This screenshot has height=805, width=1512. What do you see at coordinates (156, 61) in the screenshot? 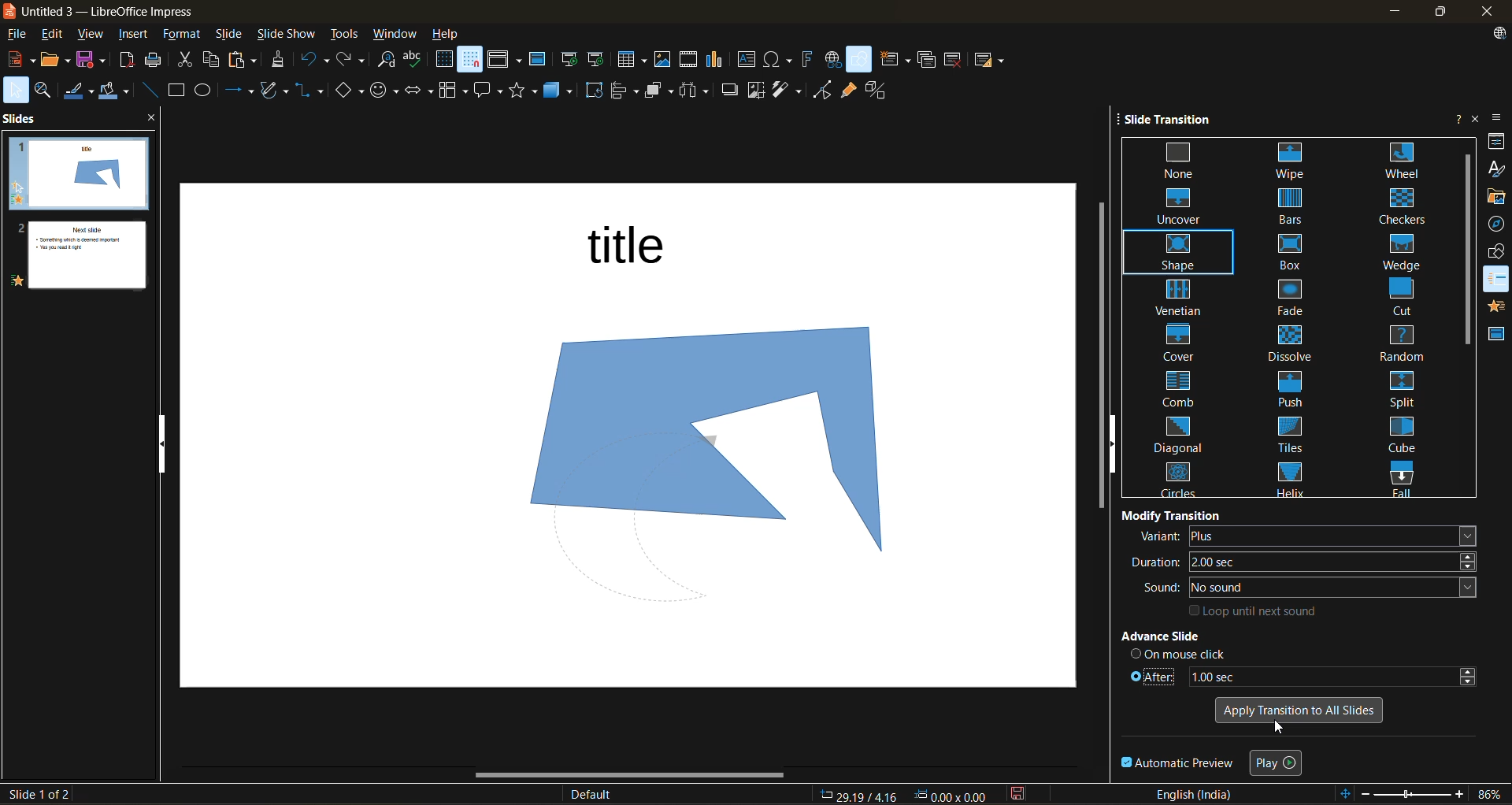
I see `print` at bounding box center [156, 61].